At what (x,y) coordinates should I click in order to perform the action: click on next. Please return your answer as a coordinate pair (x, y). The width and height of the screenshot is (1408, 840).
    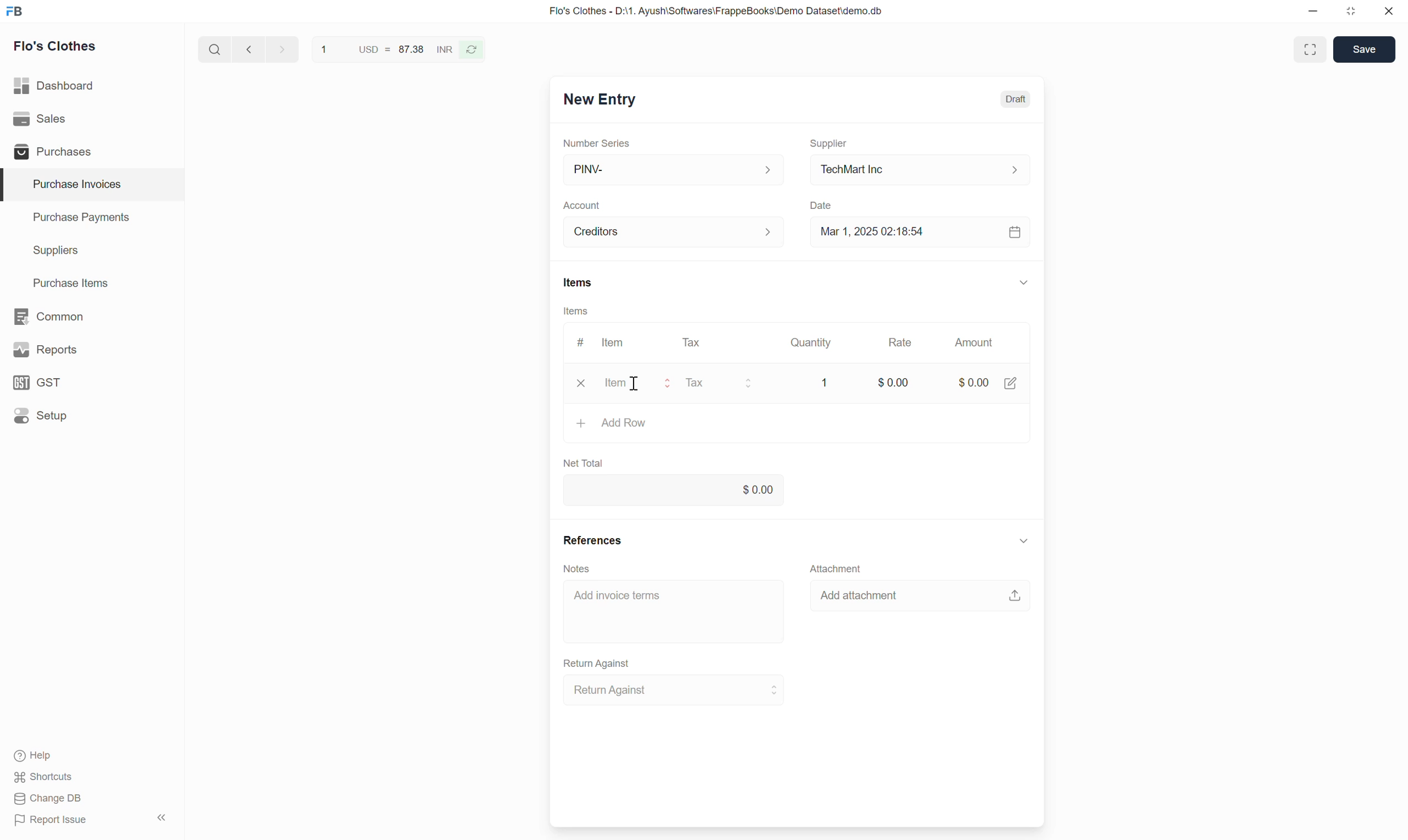
    Looking at the image, I should click on (284, 49).